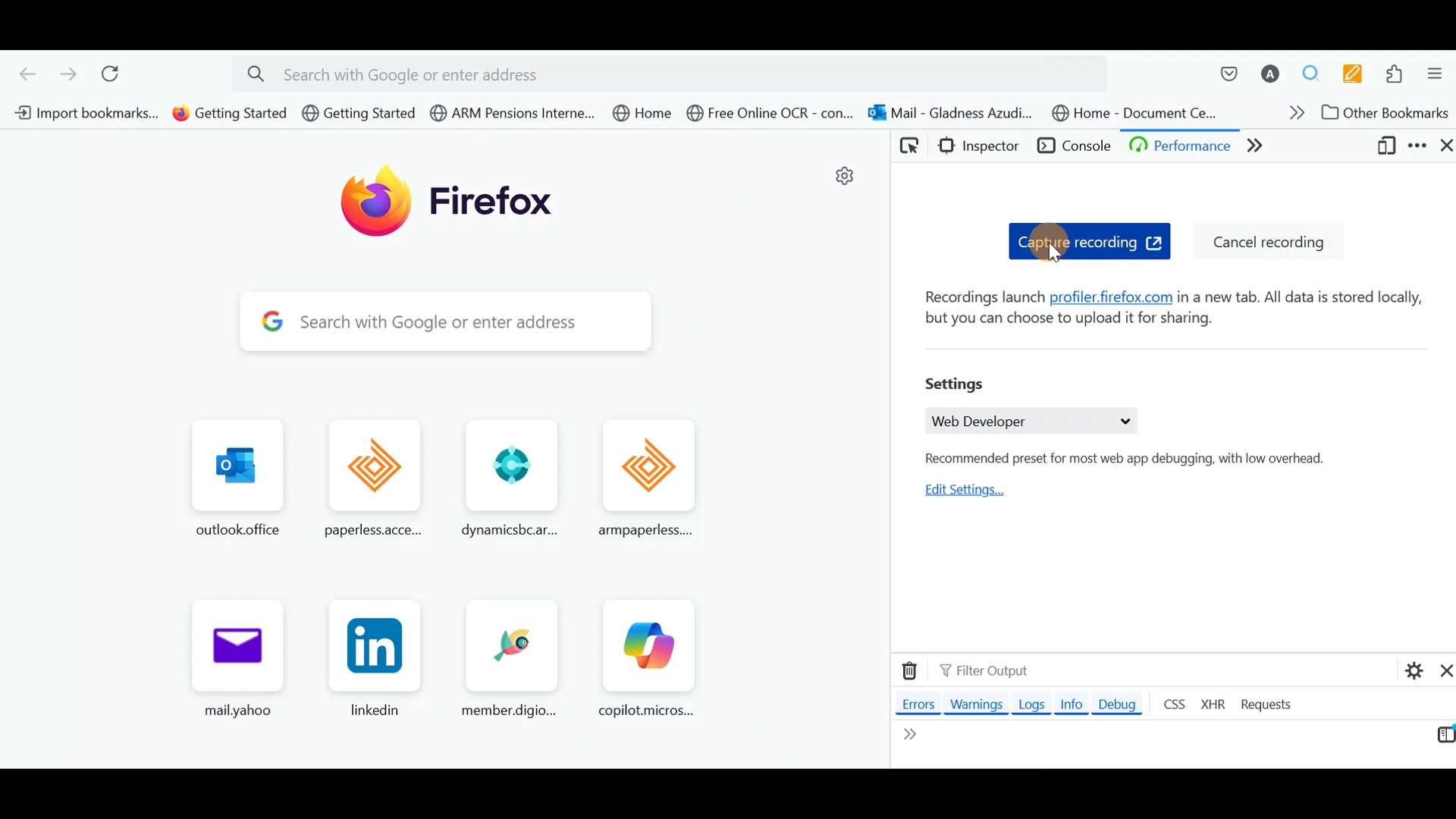 This screenshot has width=1456, height=819. I want to click on Close split console , so click(1442, 670).